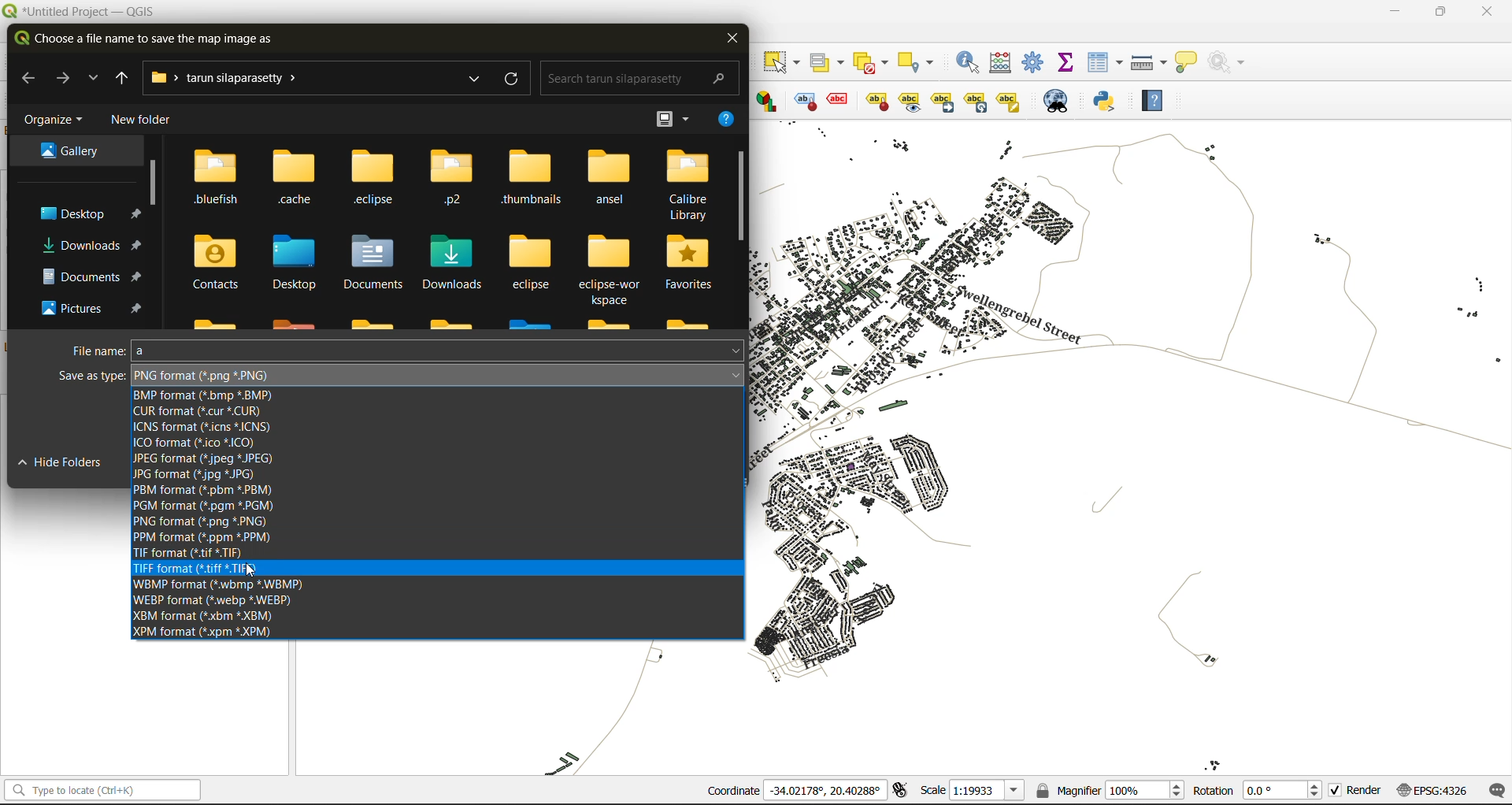 The image size is (1512, 805). What do you see at coordinates (1066, 64) in the screenshot?
I see `statistical summary` at bounding box center [1066, 64].